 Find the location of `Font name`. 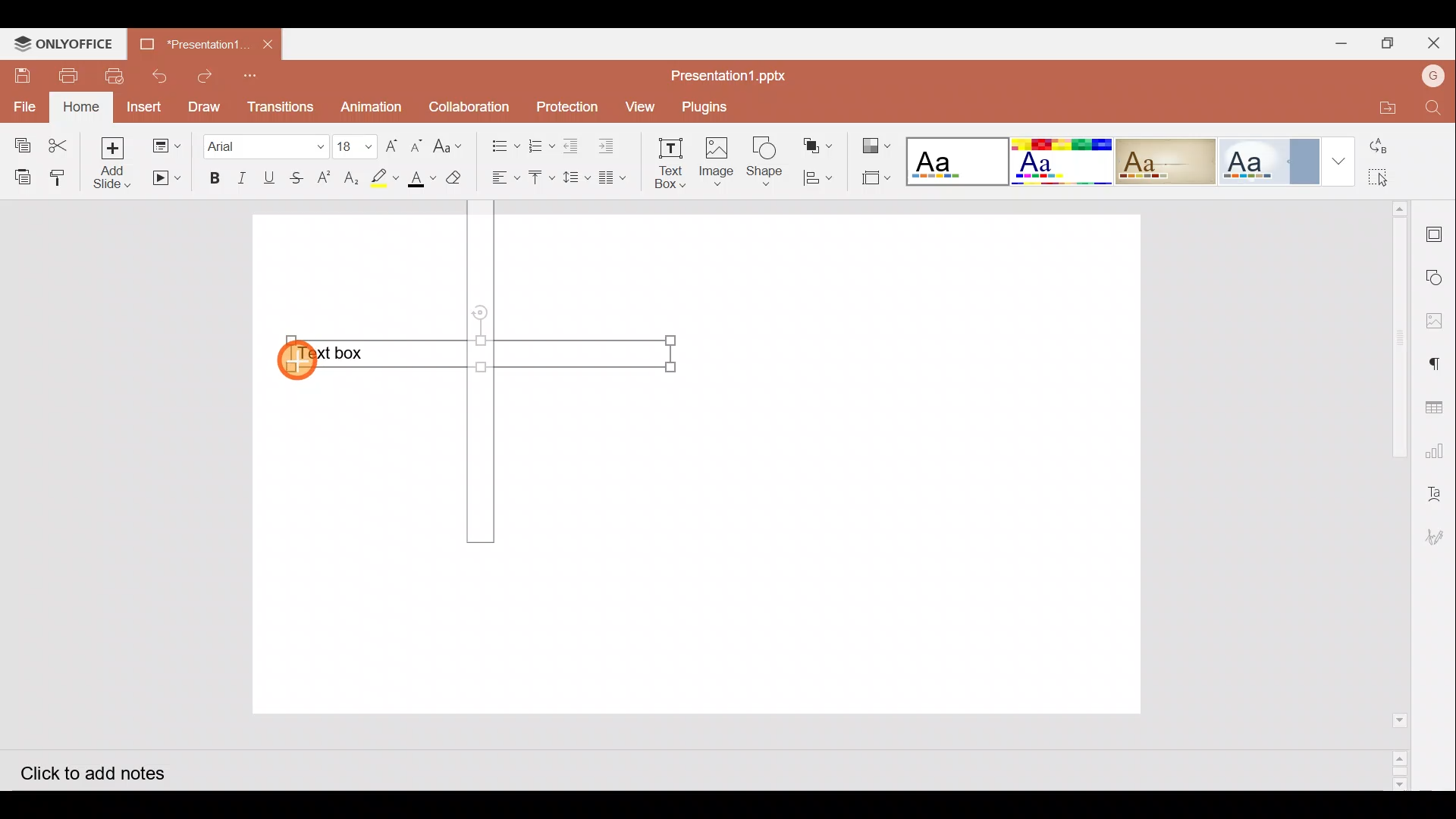

Font name is located at coordinates (265, 144).